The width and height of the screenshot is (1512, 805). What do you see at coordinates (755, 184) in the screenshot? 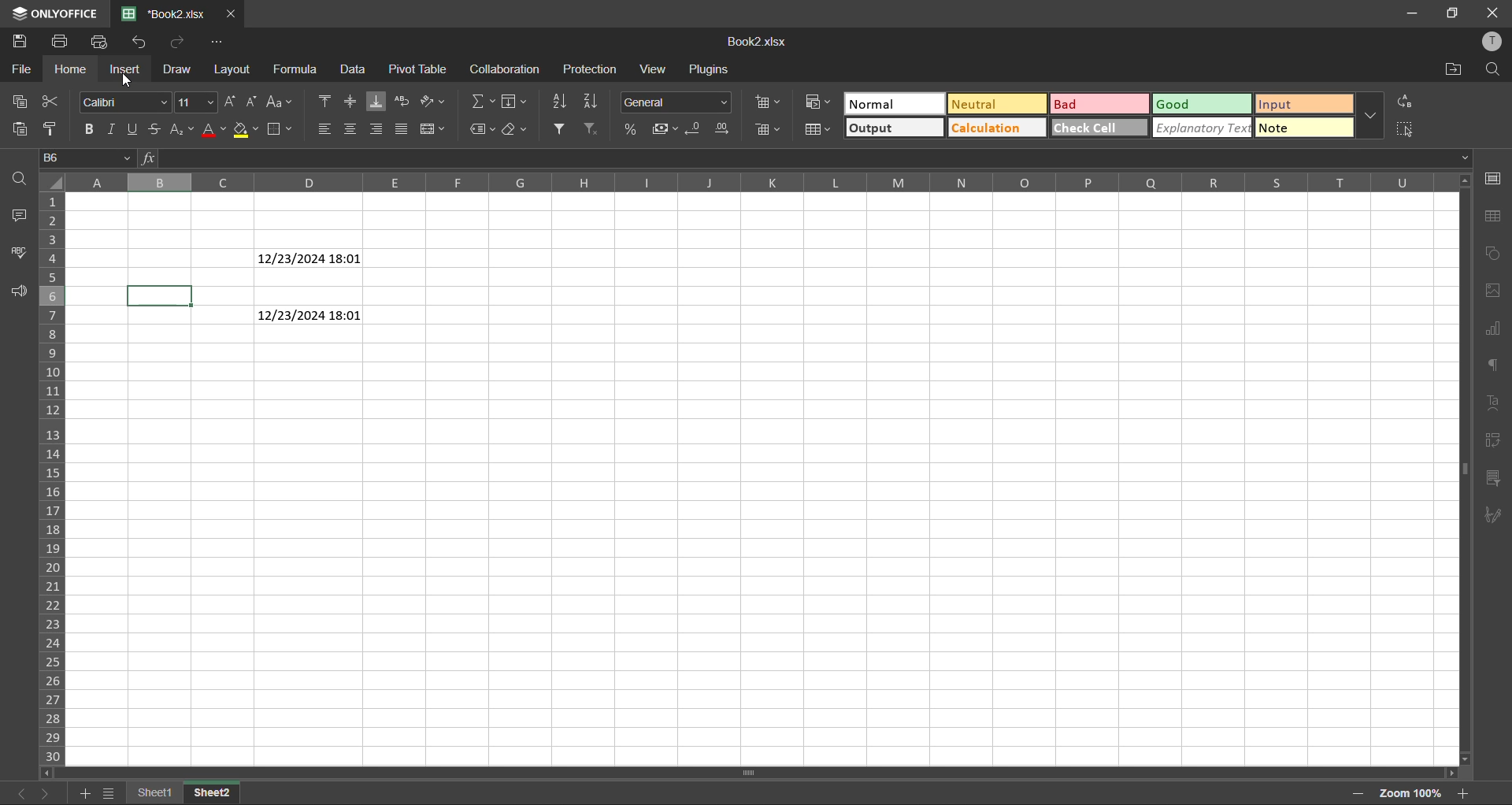
I see `column names in alphabets` at bounding box center [755, 184].